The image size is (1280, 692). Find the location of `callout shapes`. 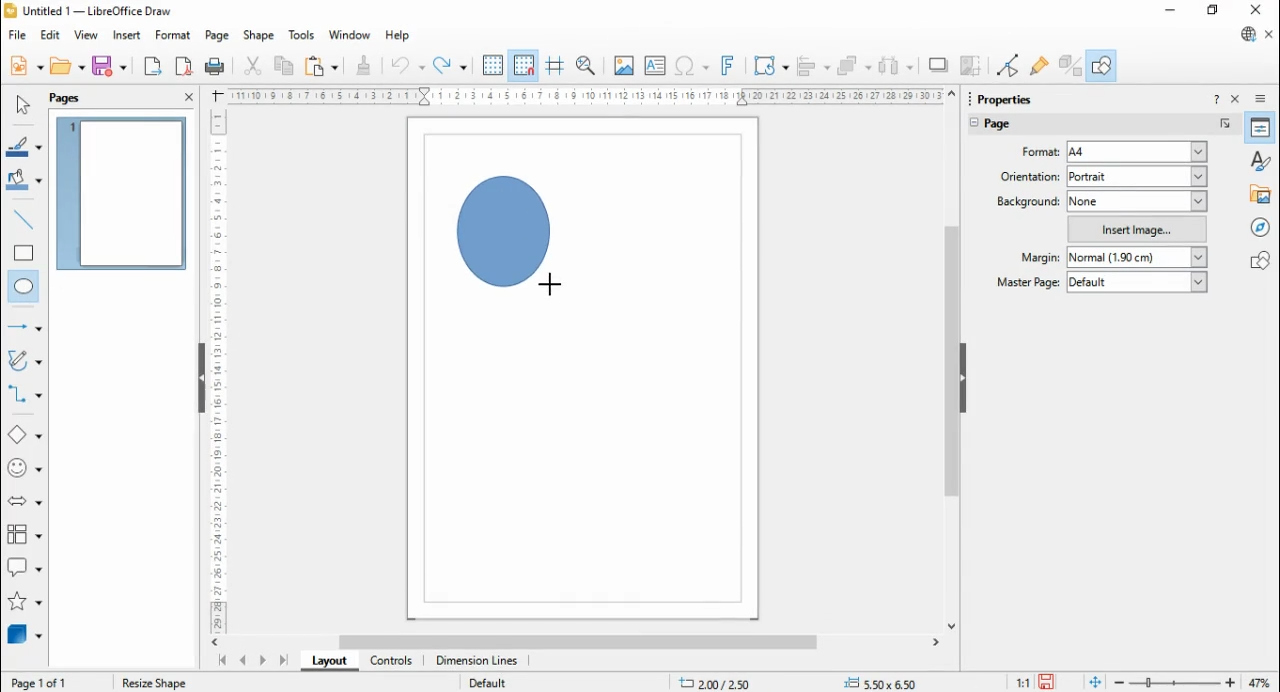

callout shapes is located at coordinates (26, 570).